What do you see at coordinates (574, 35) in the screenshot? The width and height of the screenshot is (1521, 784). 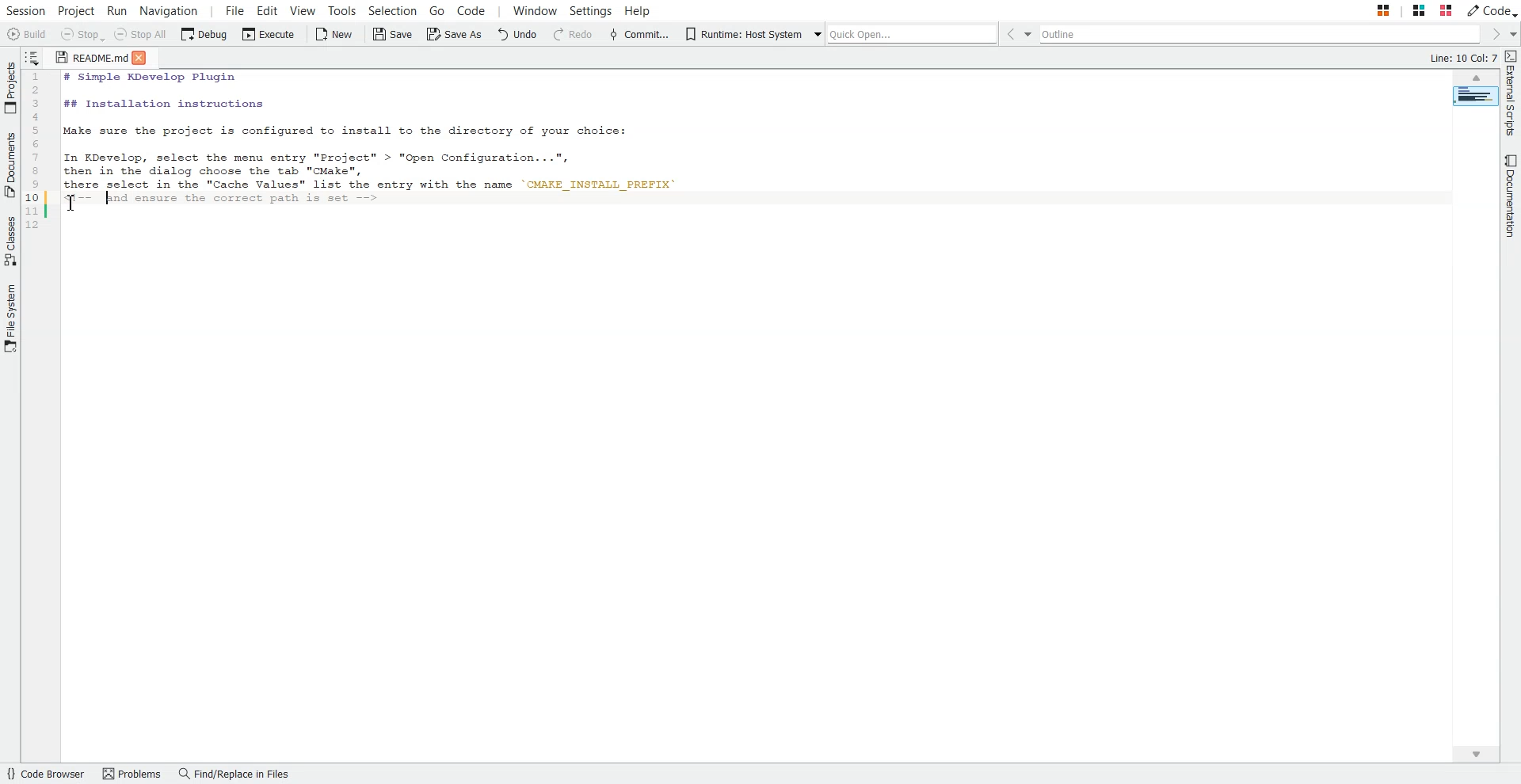 I see `Redo` at bounding box center [574, 35].